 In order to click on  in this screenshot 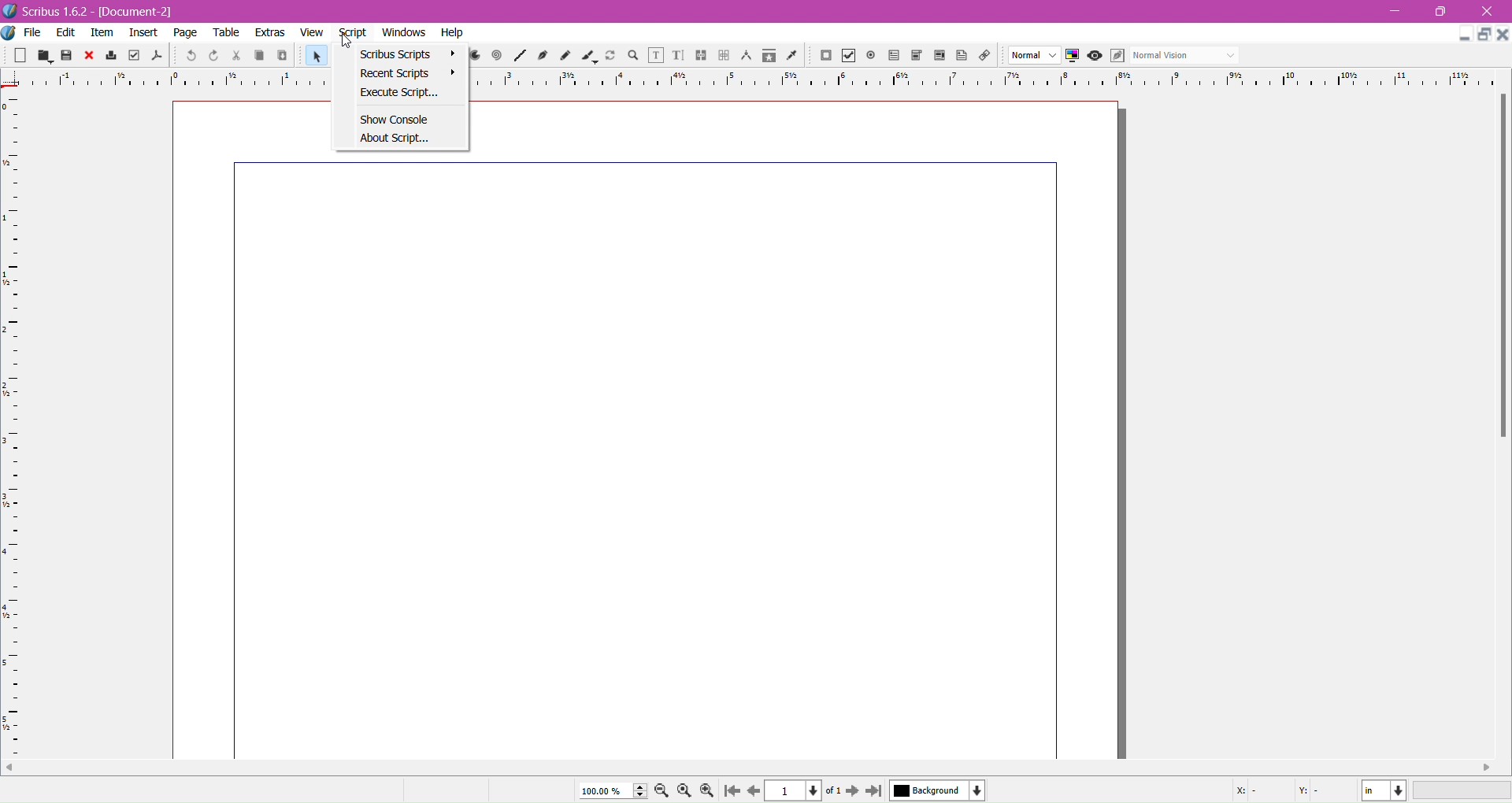, I will do `click(346, 43)`.